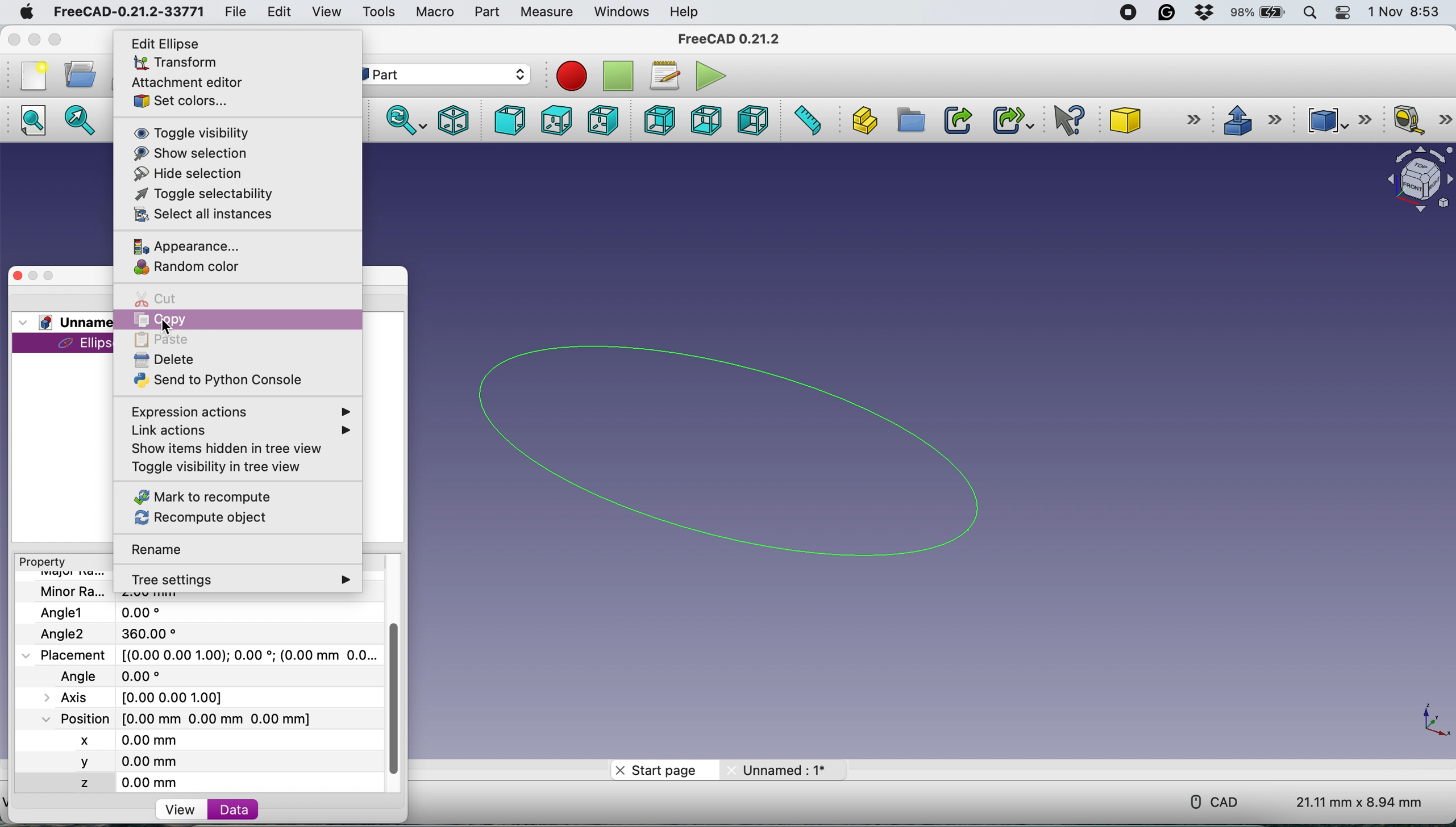 The image size is (1456, 827). What do you see at coordinates (115, 592) in the screenshot?
I see `file name` at bounding box center [115, 592].